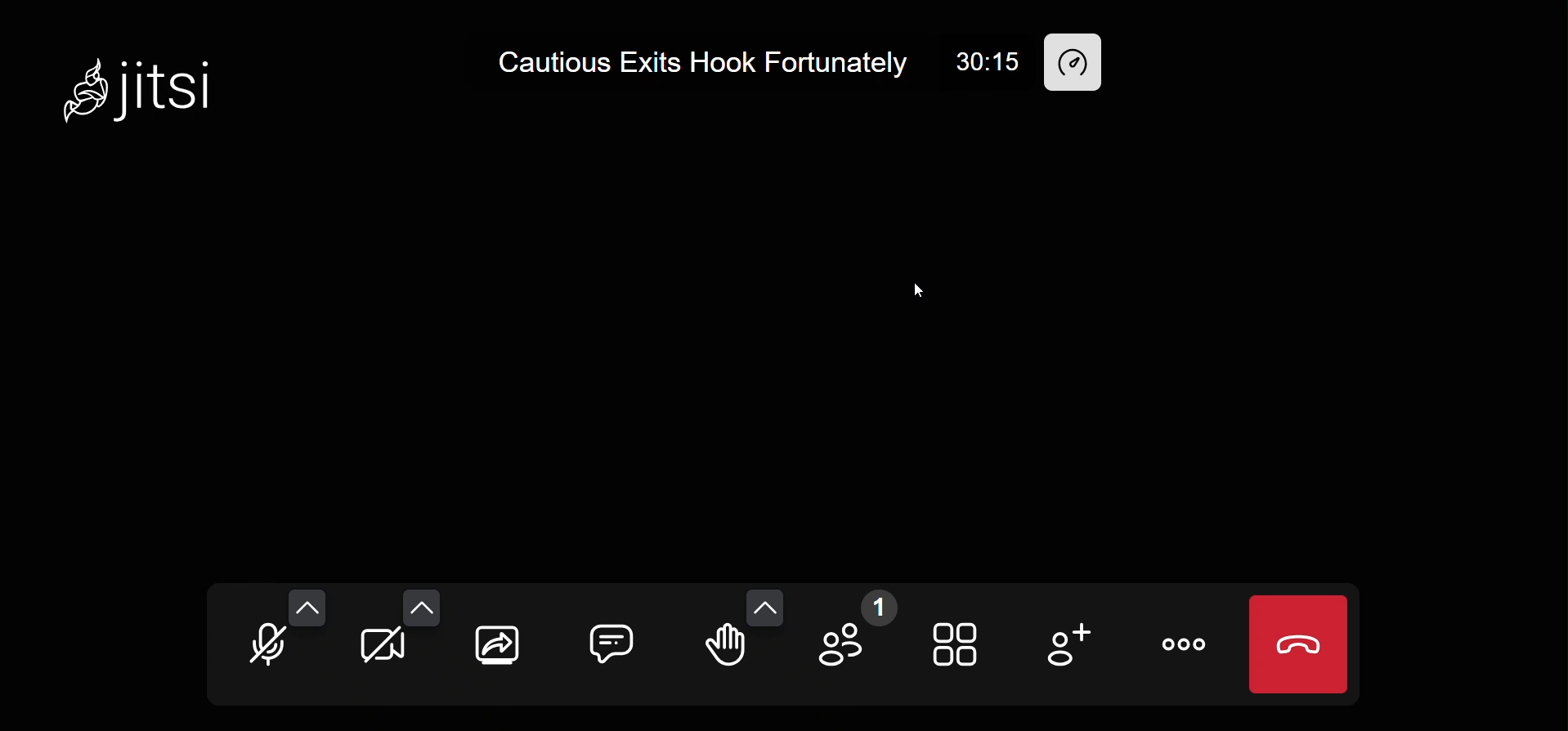  Describe the element at coordinates (1064, 643) in the screenshot. I see `invite people` at that location.